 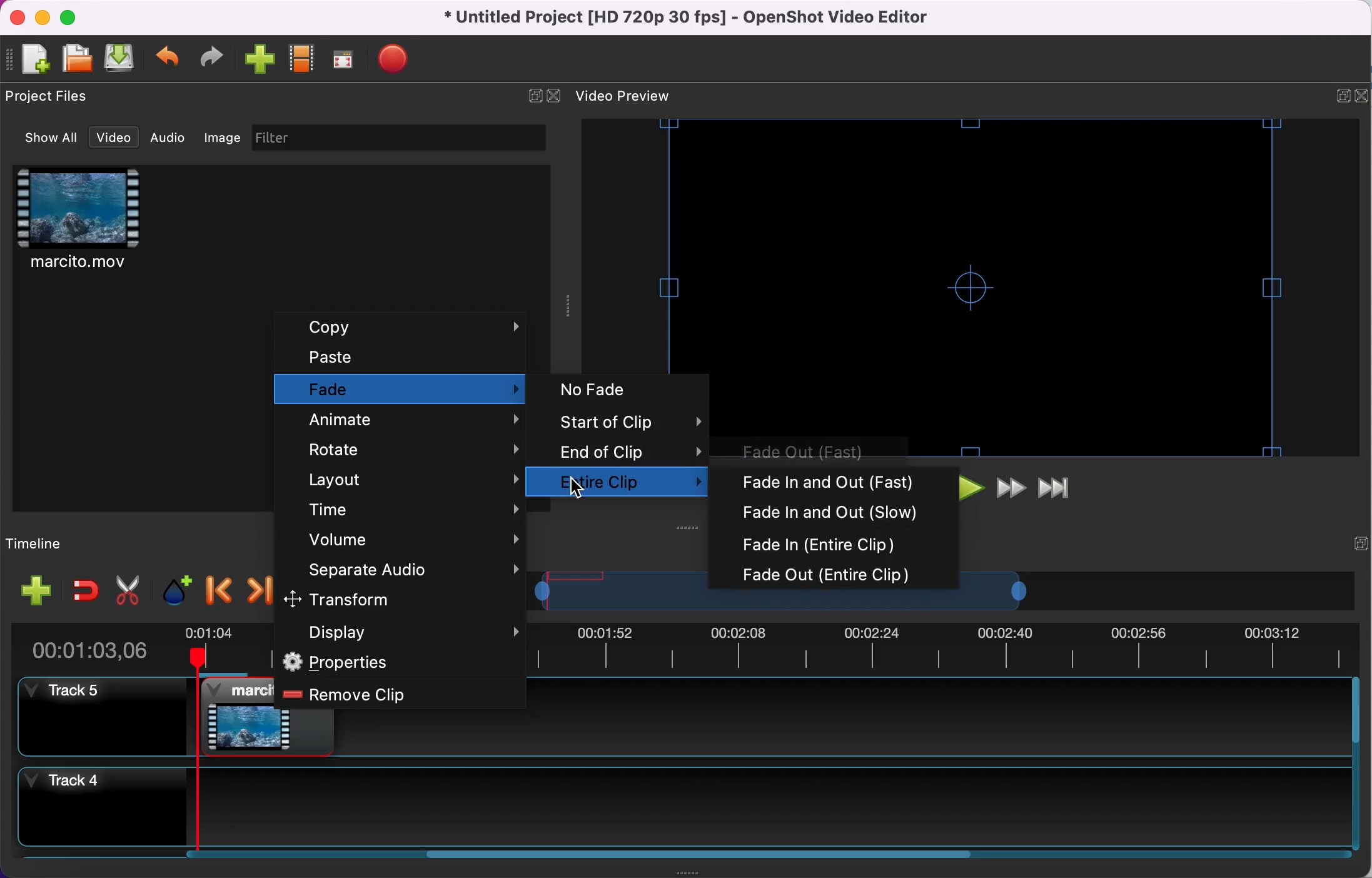 I want to click on minimize, so click(x=43, y=18).